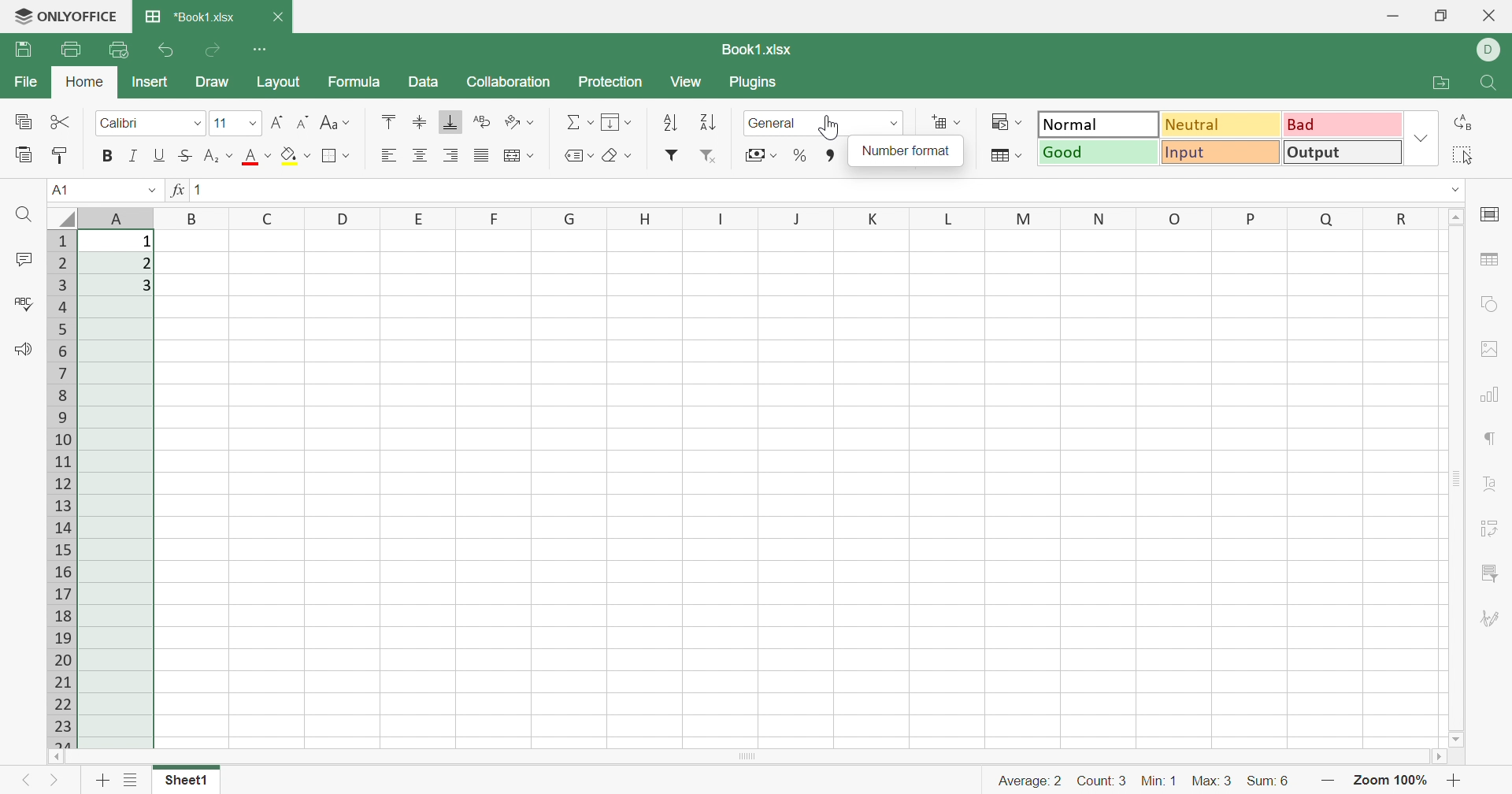  Describe the element at coordinates (1441, 17) in the screenshot. I see `Restore down` at that location.